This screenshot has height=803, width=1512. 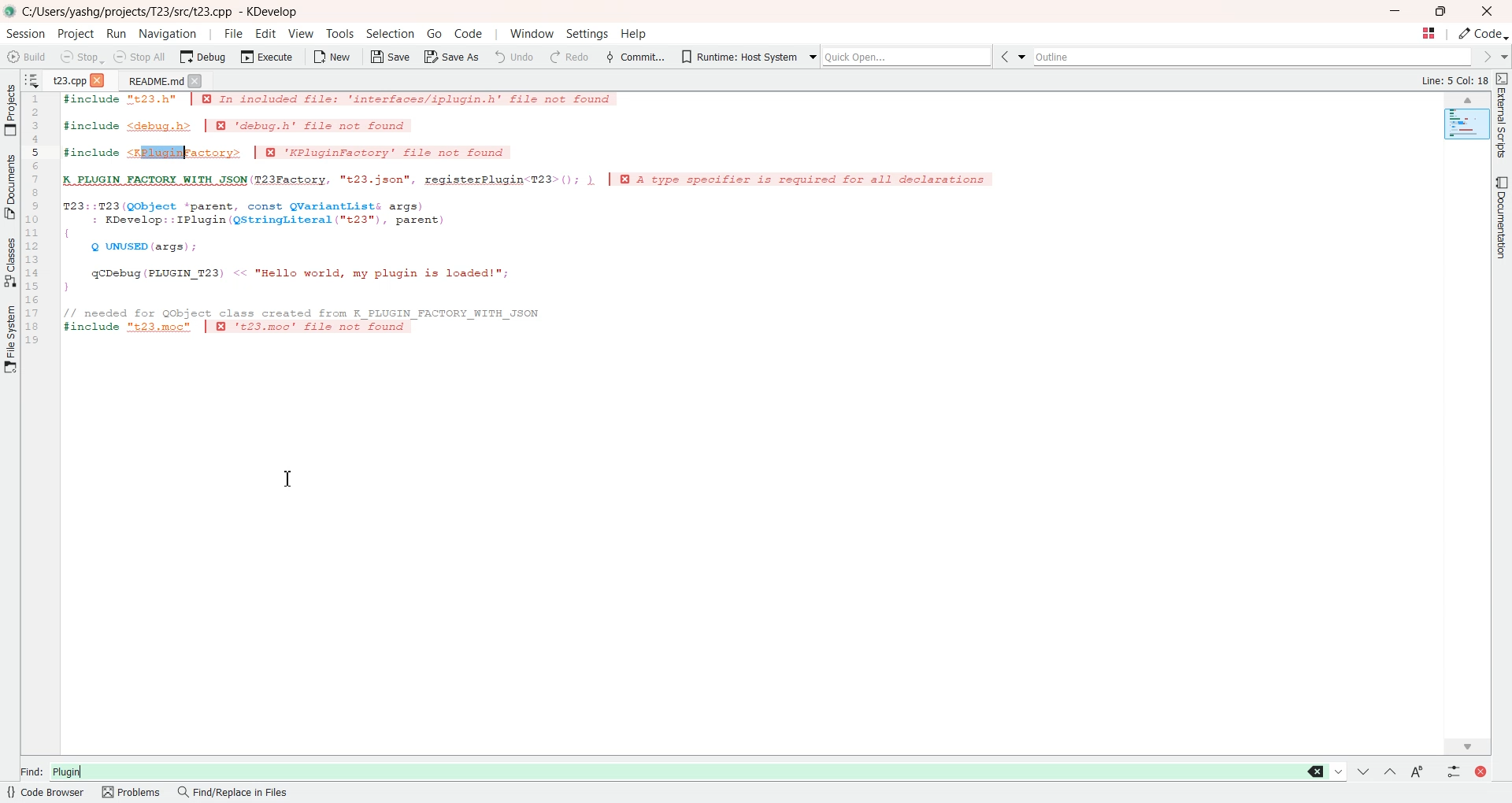 What do you see at coordinates (1466, 125) in the screenshot?
I see `File overview` at bounding box center [1466, 125].